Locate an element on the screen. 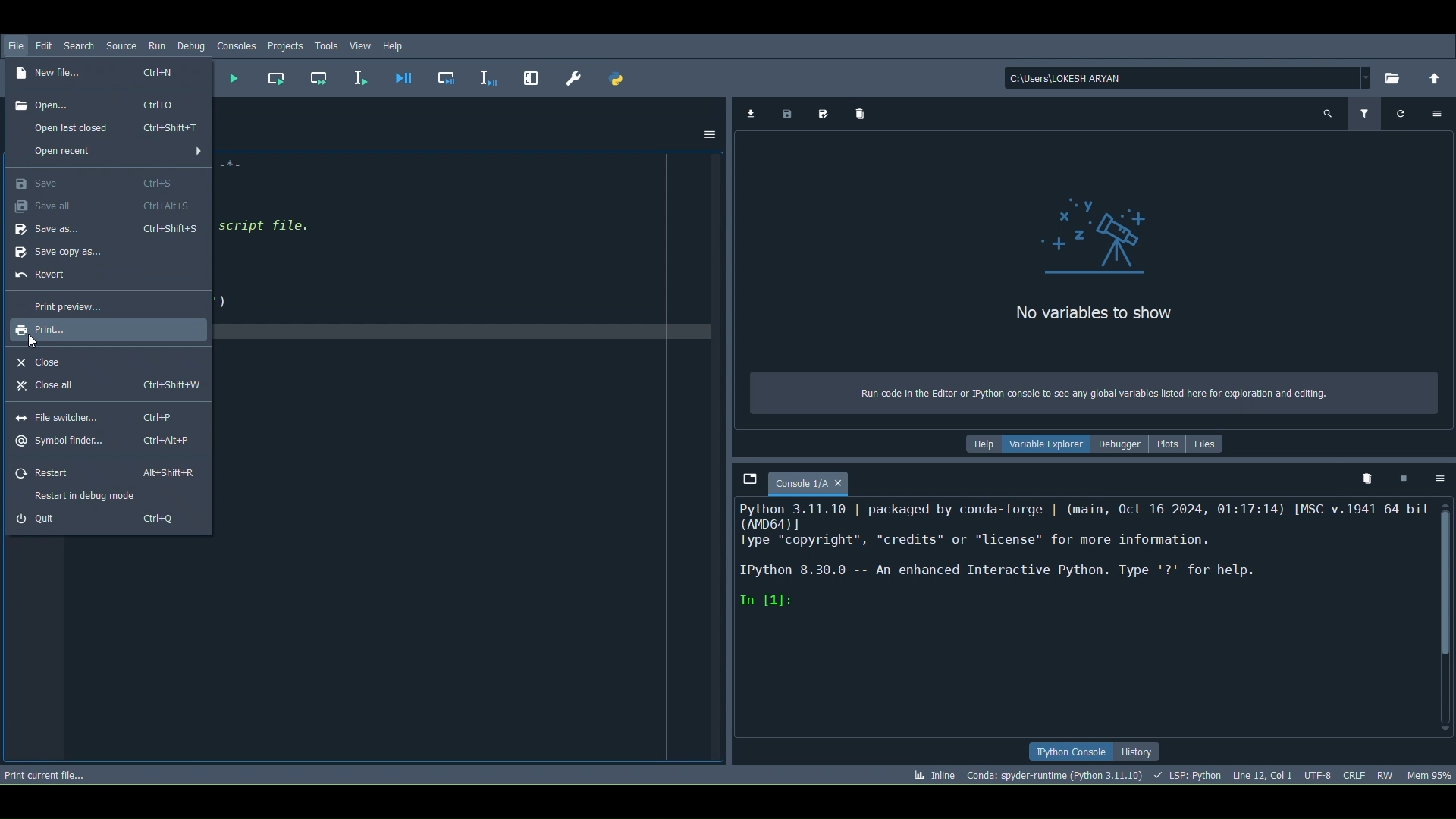  Run is located at coordinates (159, 46).